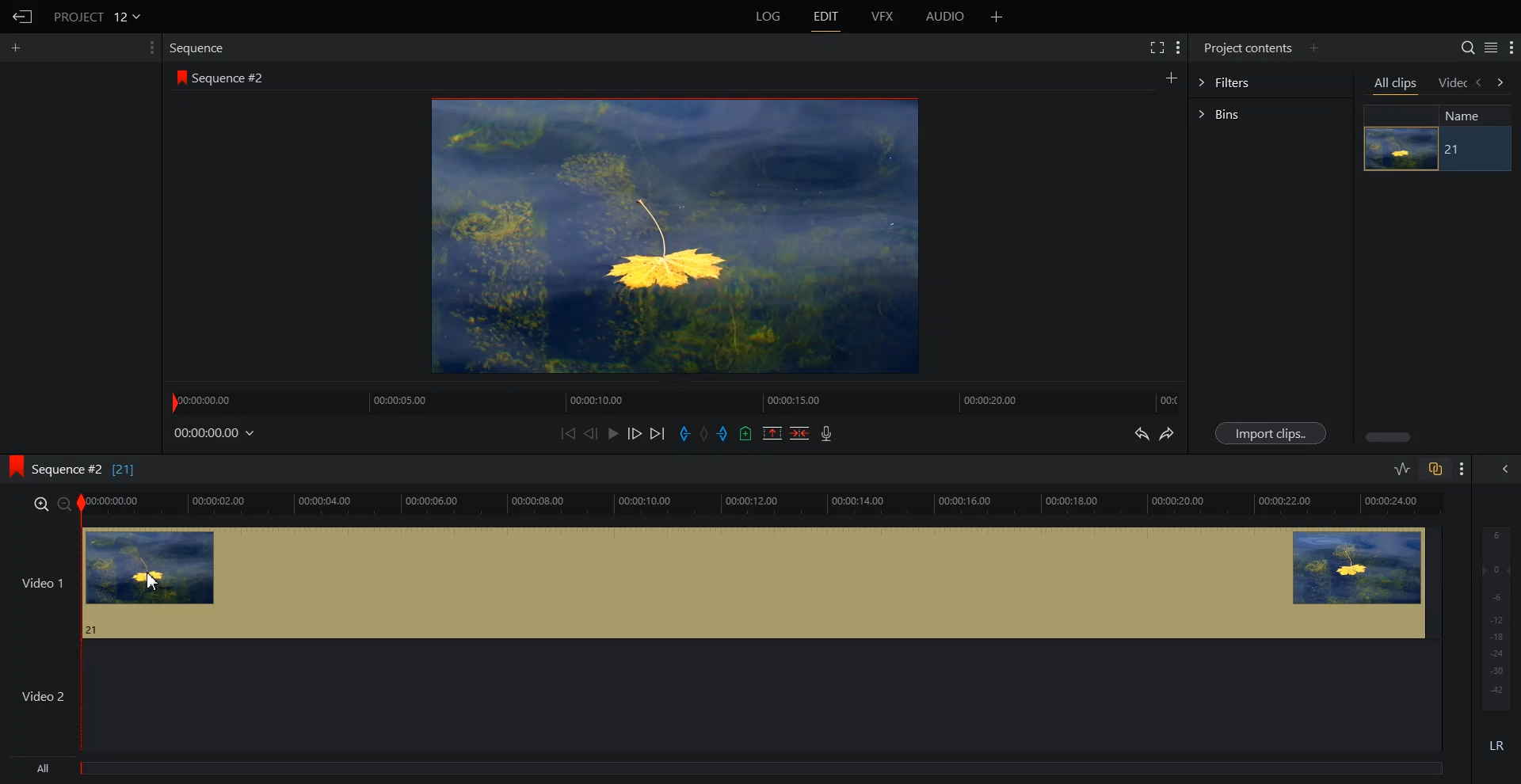 The image size is (1521, 784). I want to click on Toggle Audio level editing, so click(1401, 470).